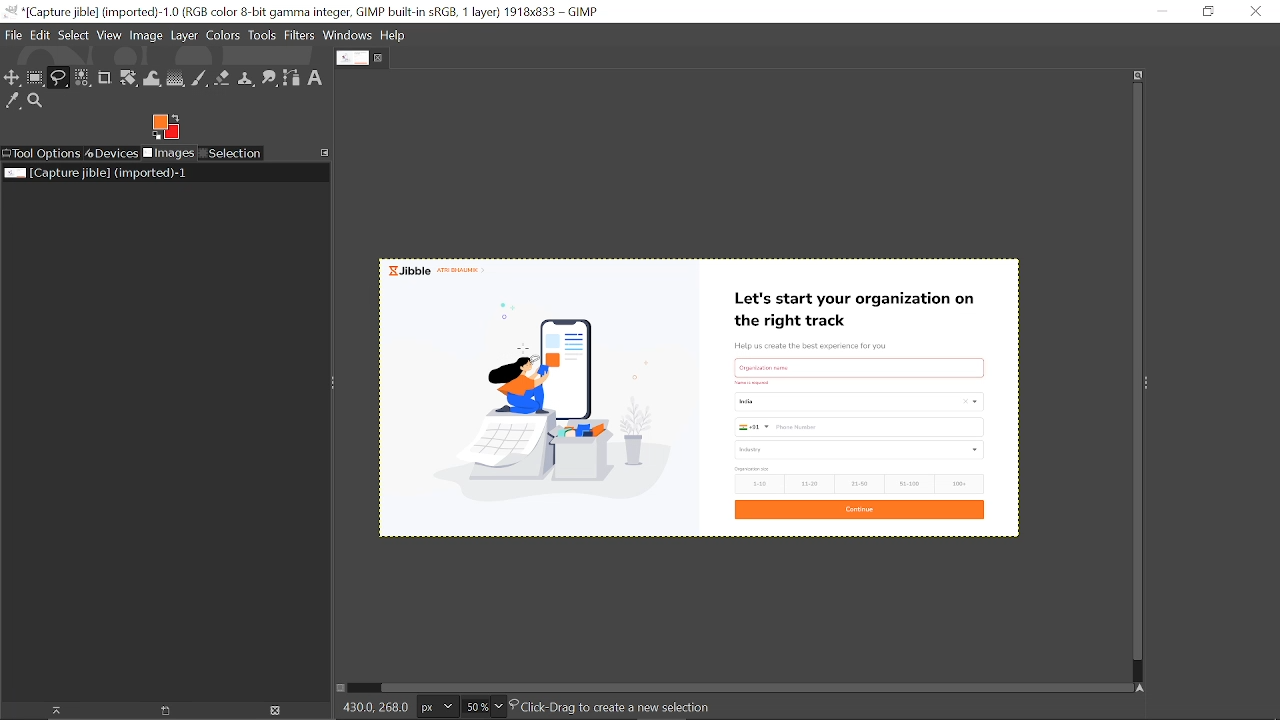  What do you see at coordinates (98, 173) in the screenshot?
I see `Current image` at bounding box center [98, 173].